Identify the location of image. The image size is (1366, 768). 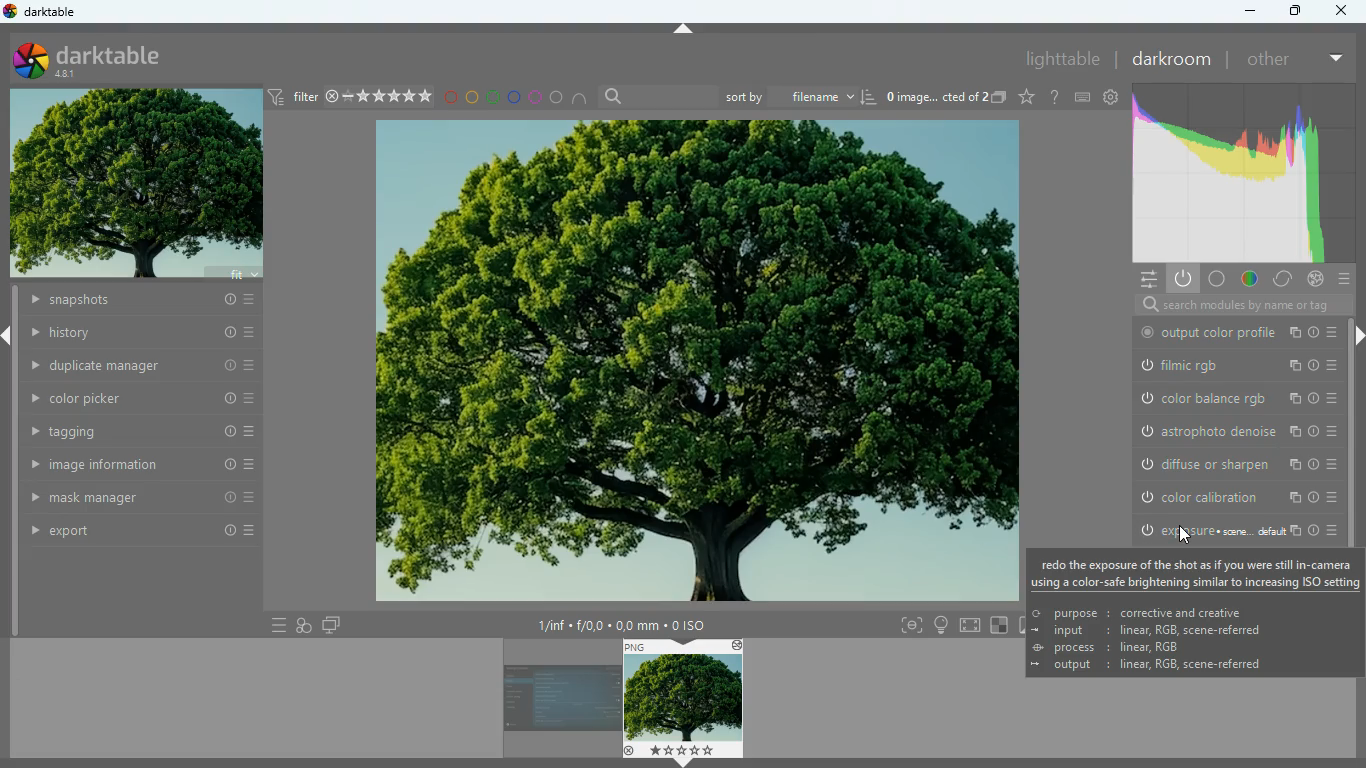
(686, 699).